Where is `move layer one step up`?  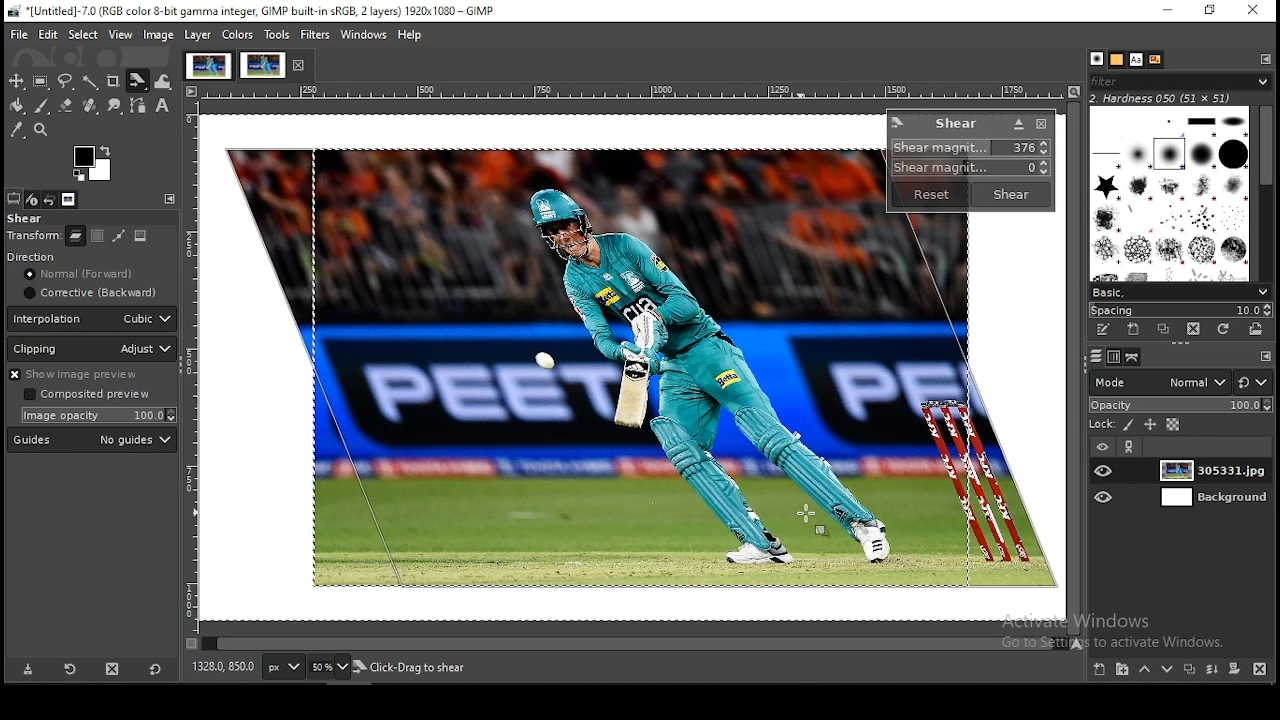
move layer one step up is located at coordinates (1143, 669).